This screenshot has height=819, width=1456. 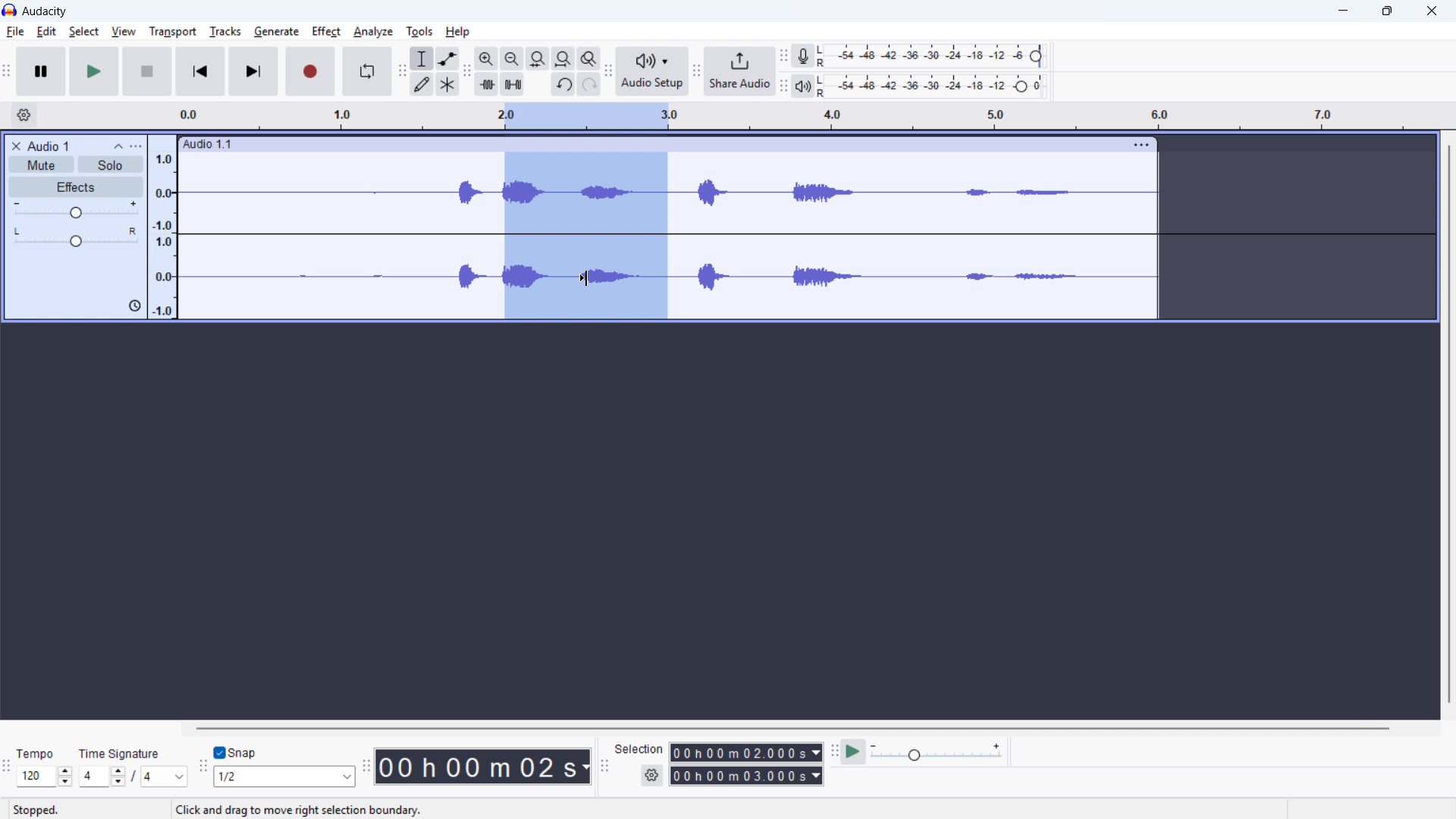 I want to click on Envelope tool, so click(x=447, y=58).